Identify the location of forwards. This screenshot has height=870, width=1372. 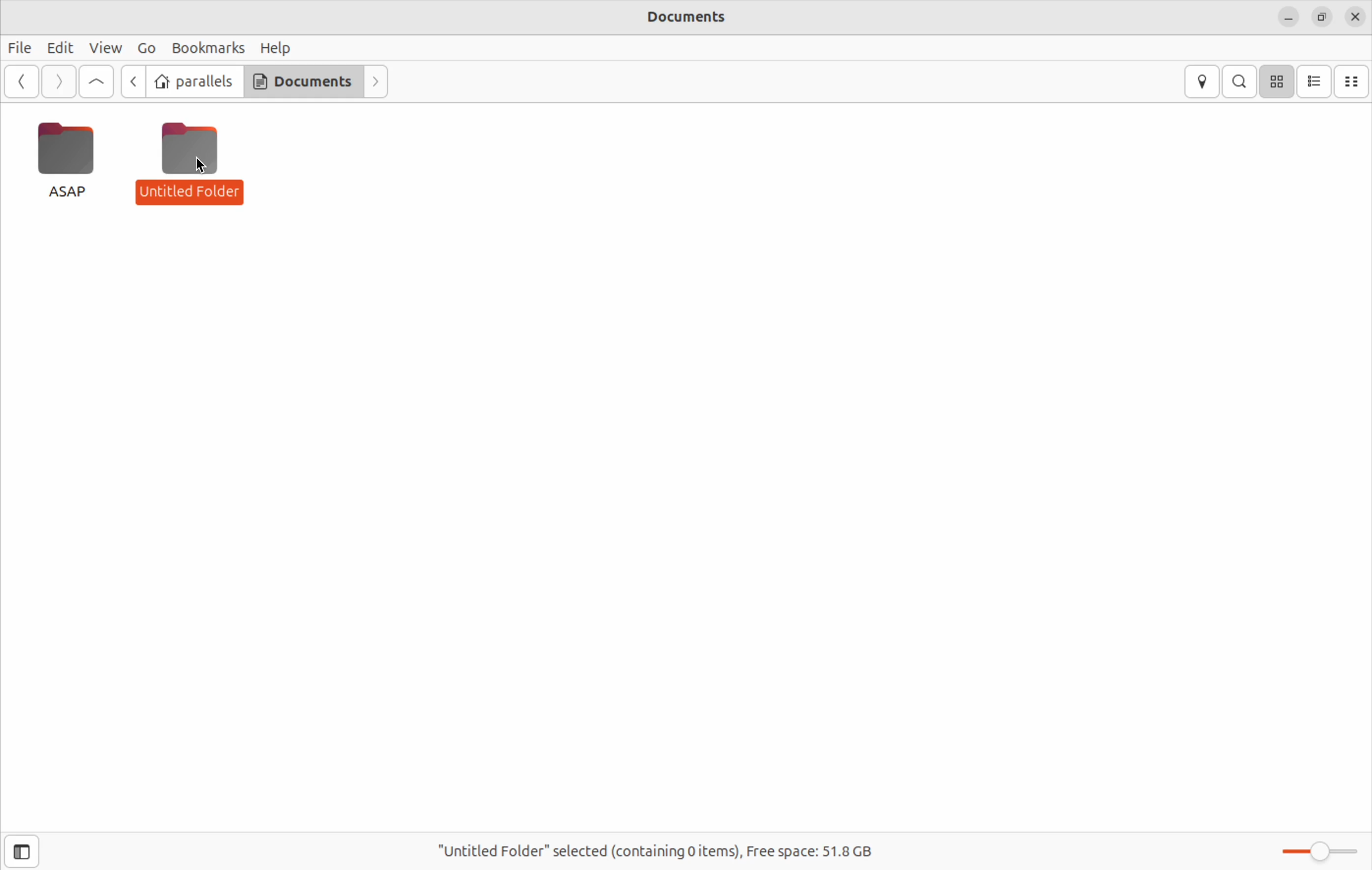
(375, 81).